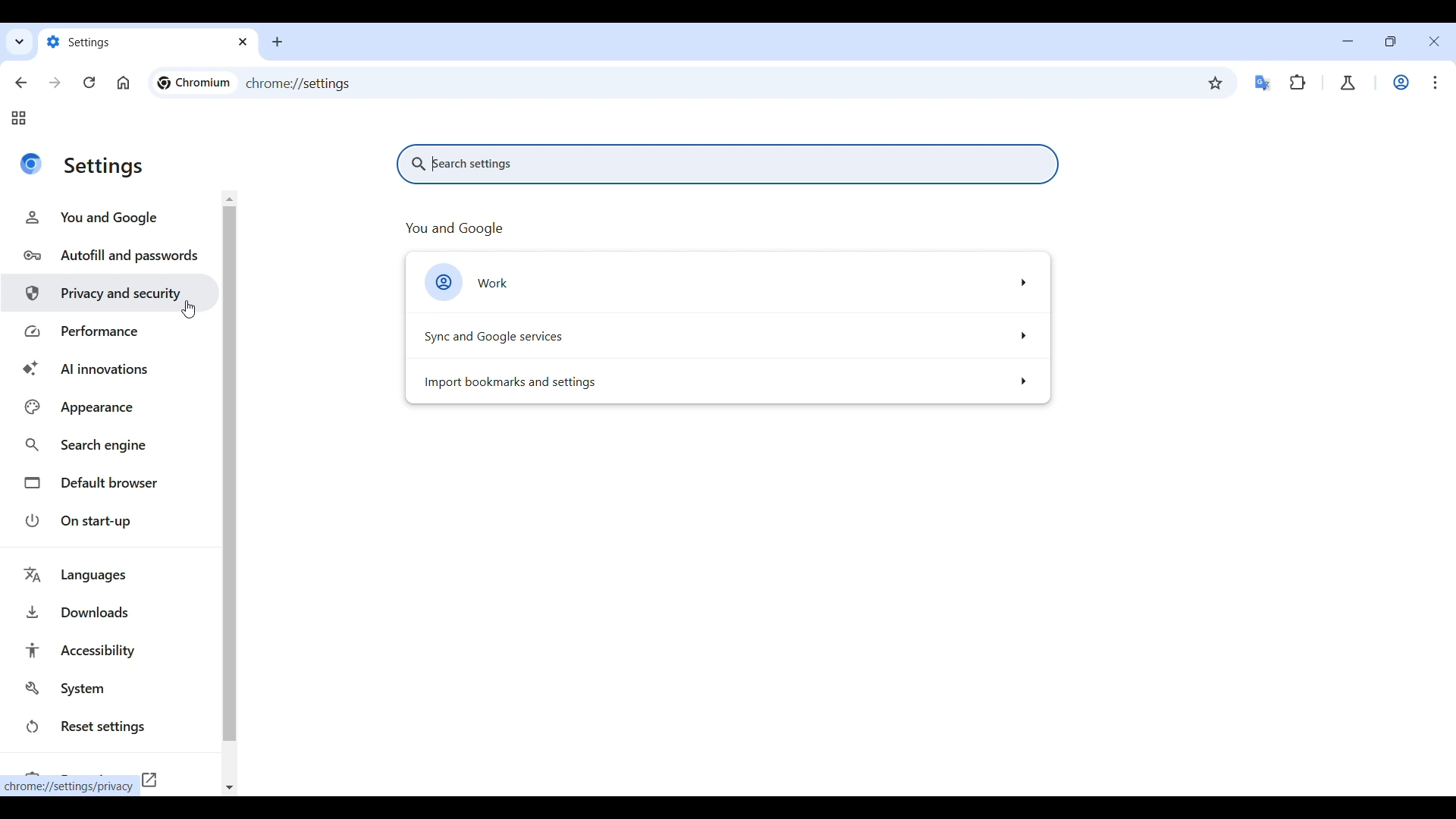 The width and height of the screenshot is (1456, 819). I want to click on Add new tab, so click(278, 42).